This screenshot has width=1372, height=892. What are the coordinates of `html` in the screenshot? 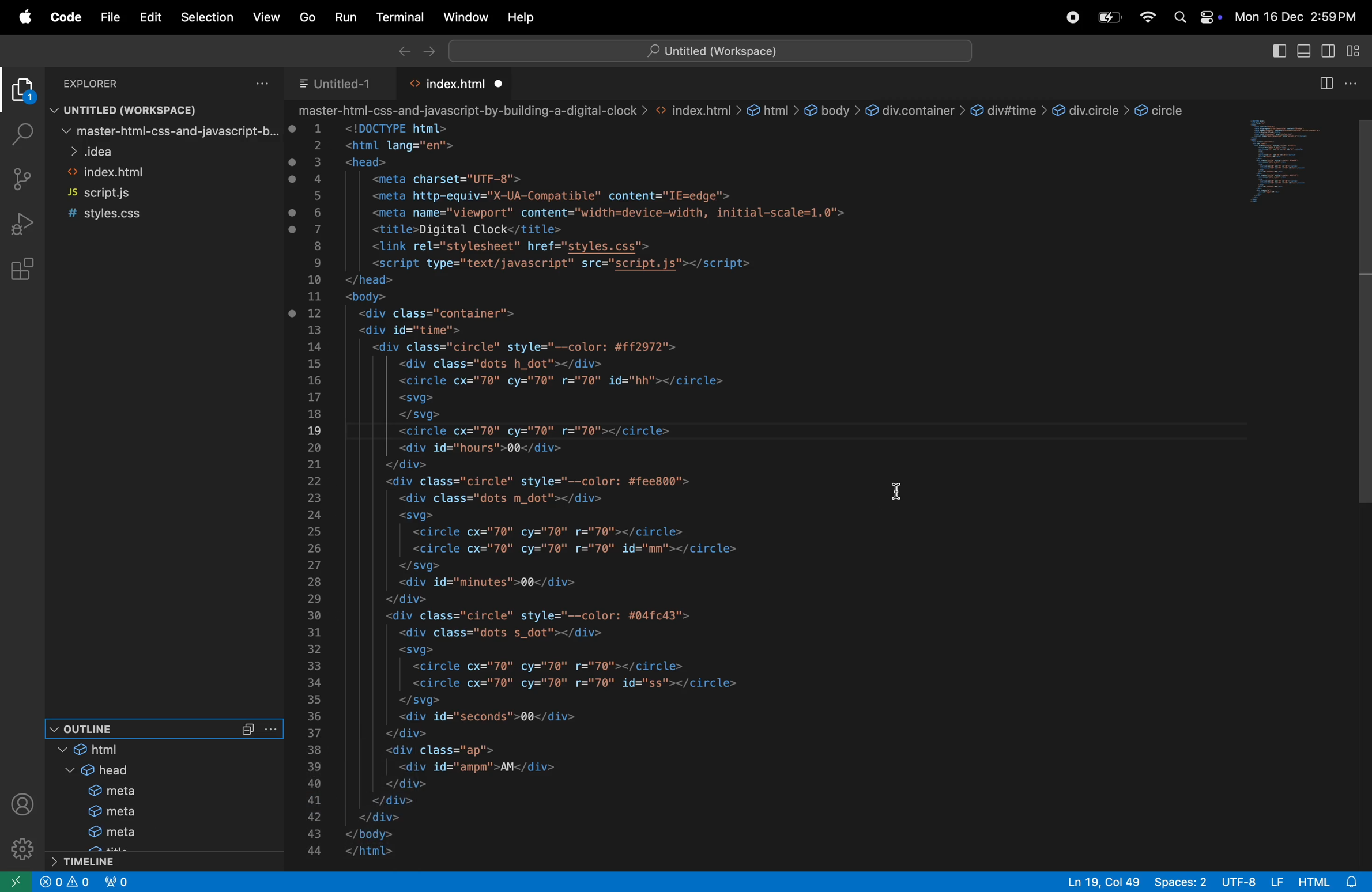 It's located at (101, 751).